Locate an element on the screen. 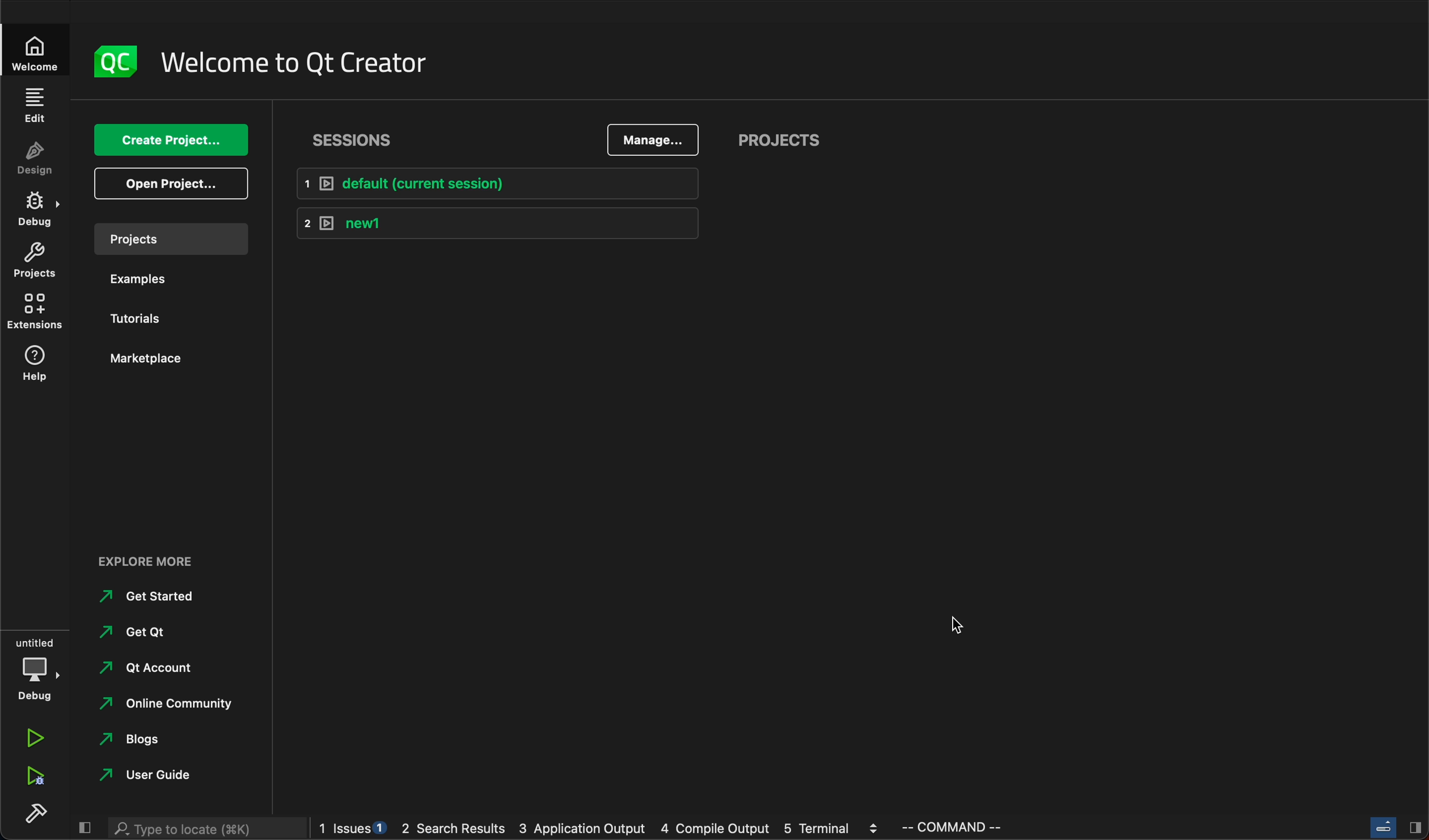 The height and width of the screenshot is (840, 1429). help is located at coordinates (30, 366).